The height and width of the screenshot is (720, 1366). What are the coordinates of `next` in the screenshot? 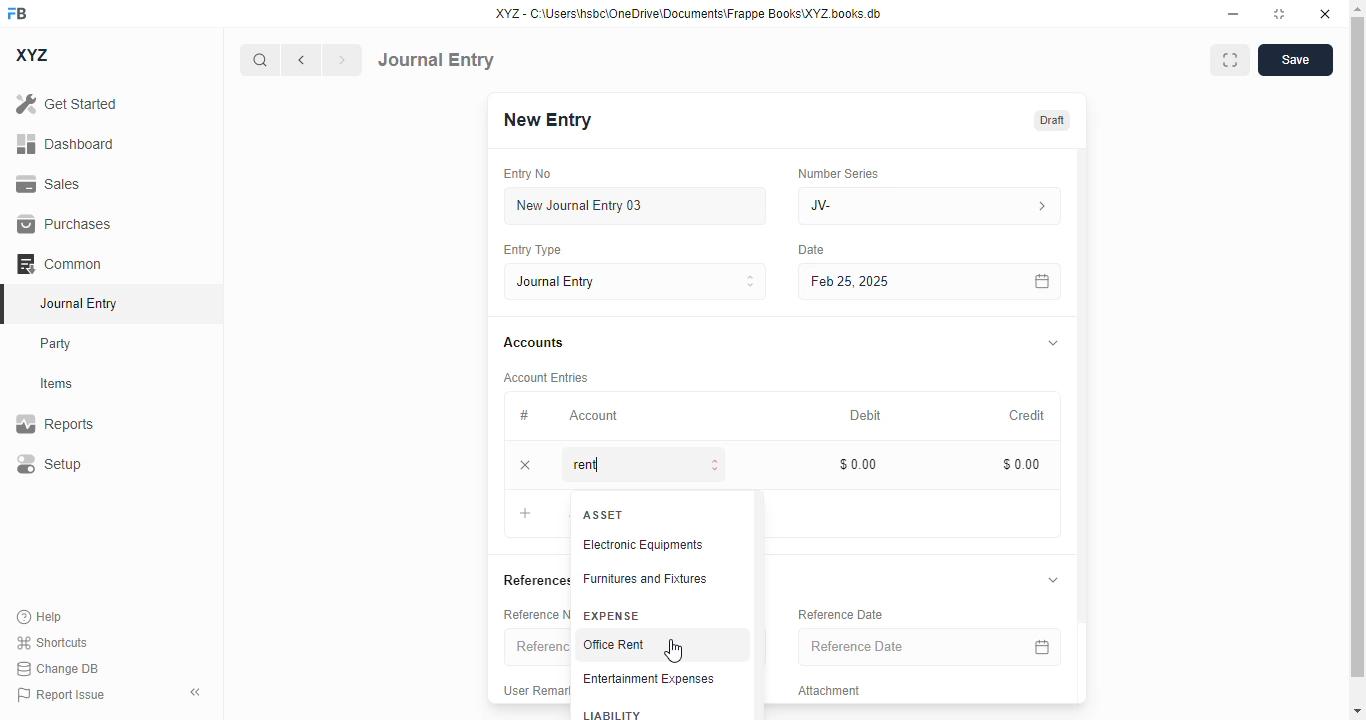 It's located at (343, 60).